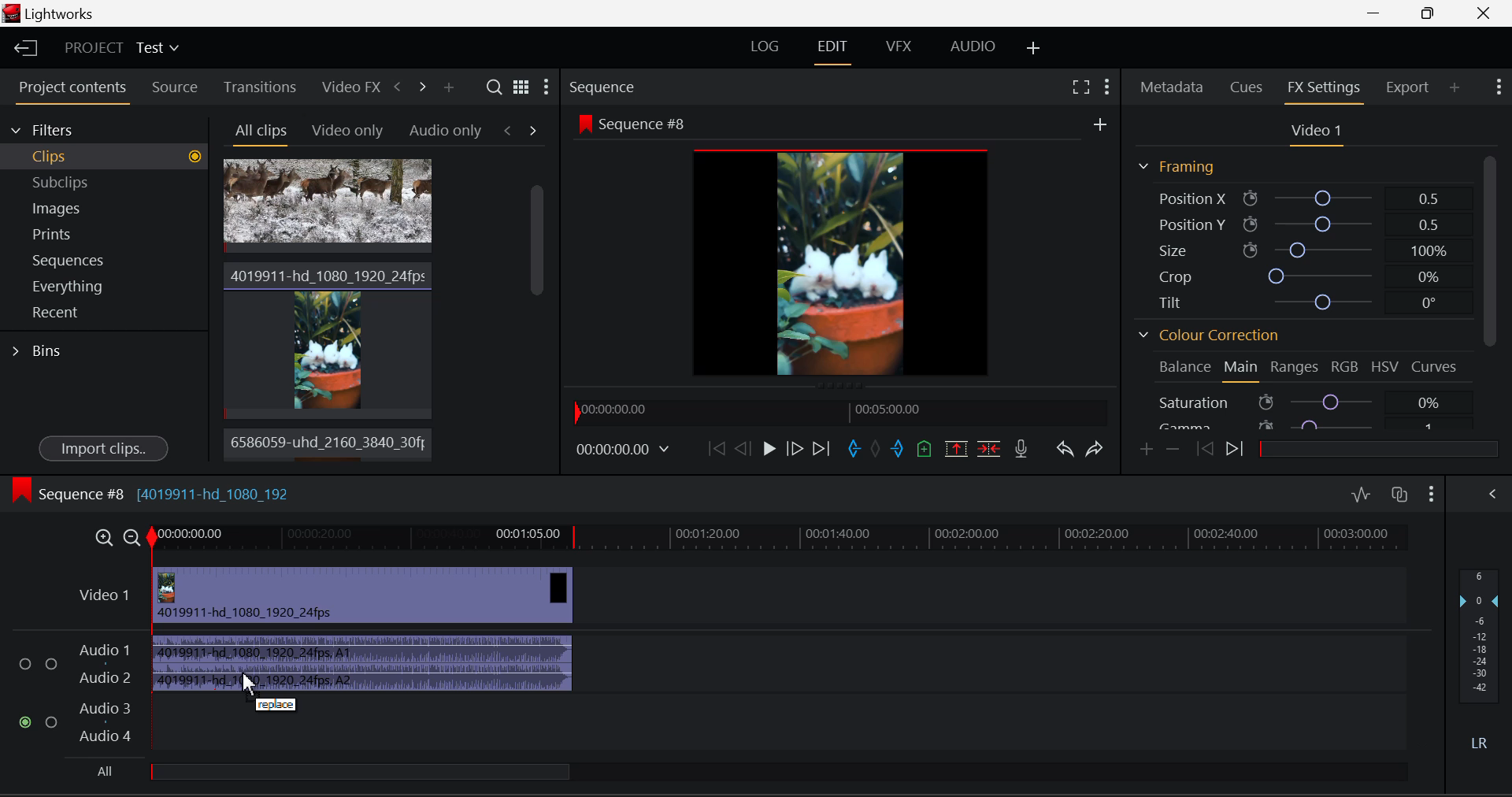 Image resolution: width=1512 pixels, height=797 pixels. What do you see at coordinates (1306, 276) in the screenshot?
I see `Crop` at bounding box center [1306, 276].